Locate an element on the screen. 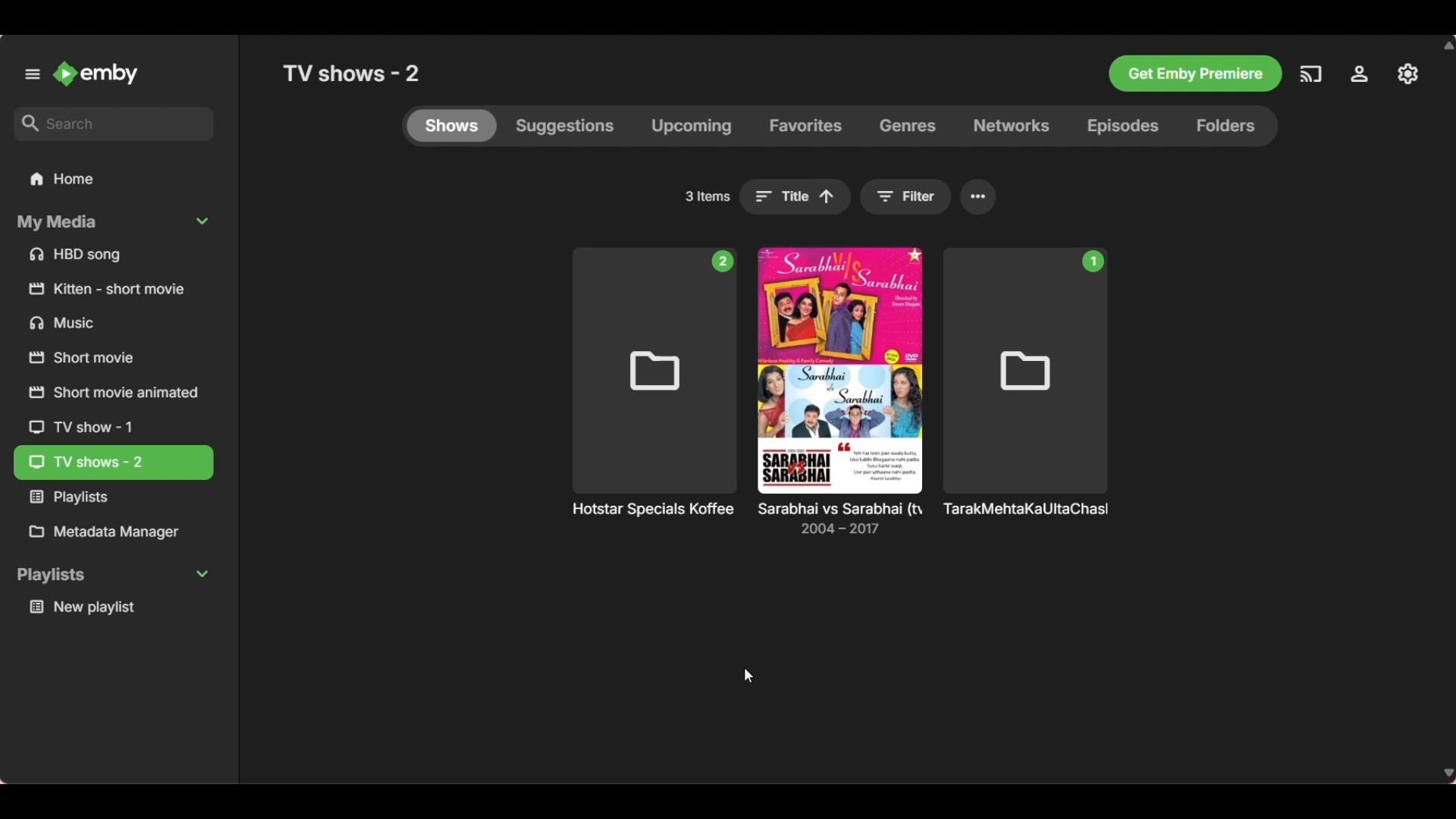  Search box is located at coordinates (113, 124).